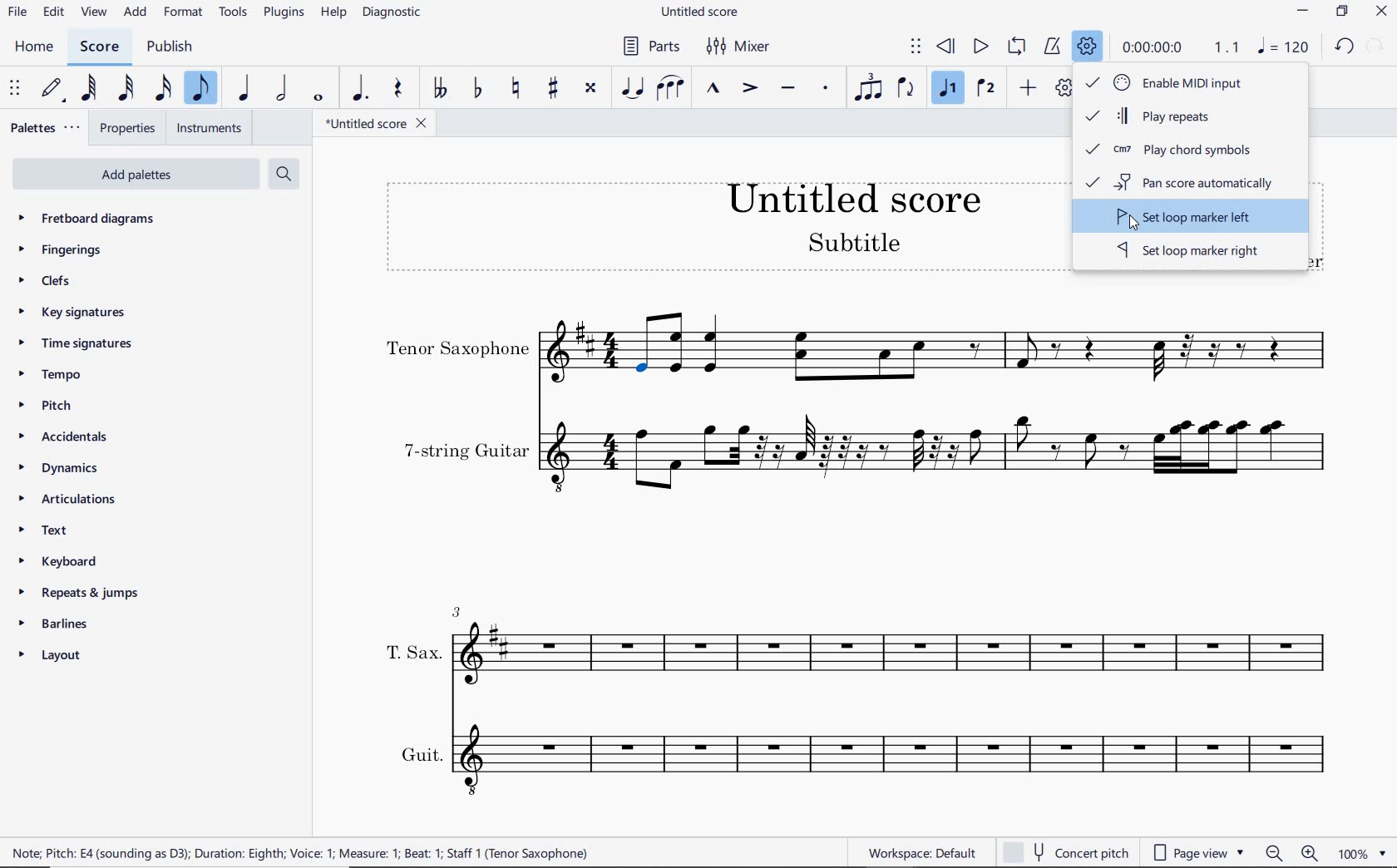  Describe the element at coordinates (88, 87) in the screenshot. I see `64TH NOTE` at that location.